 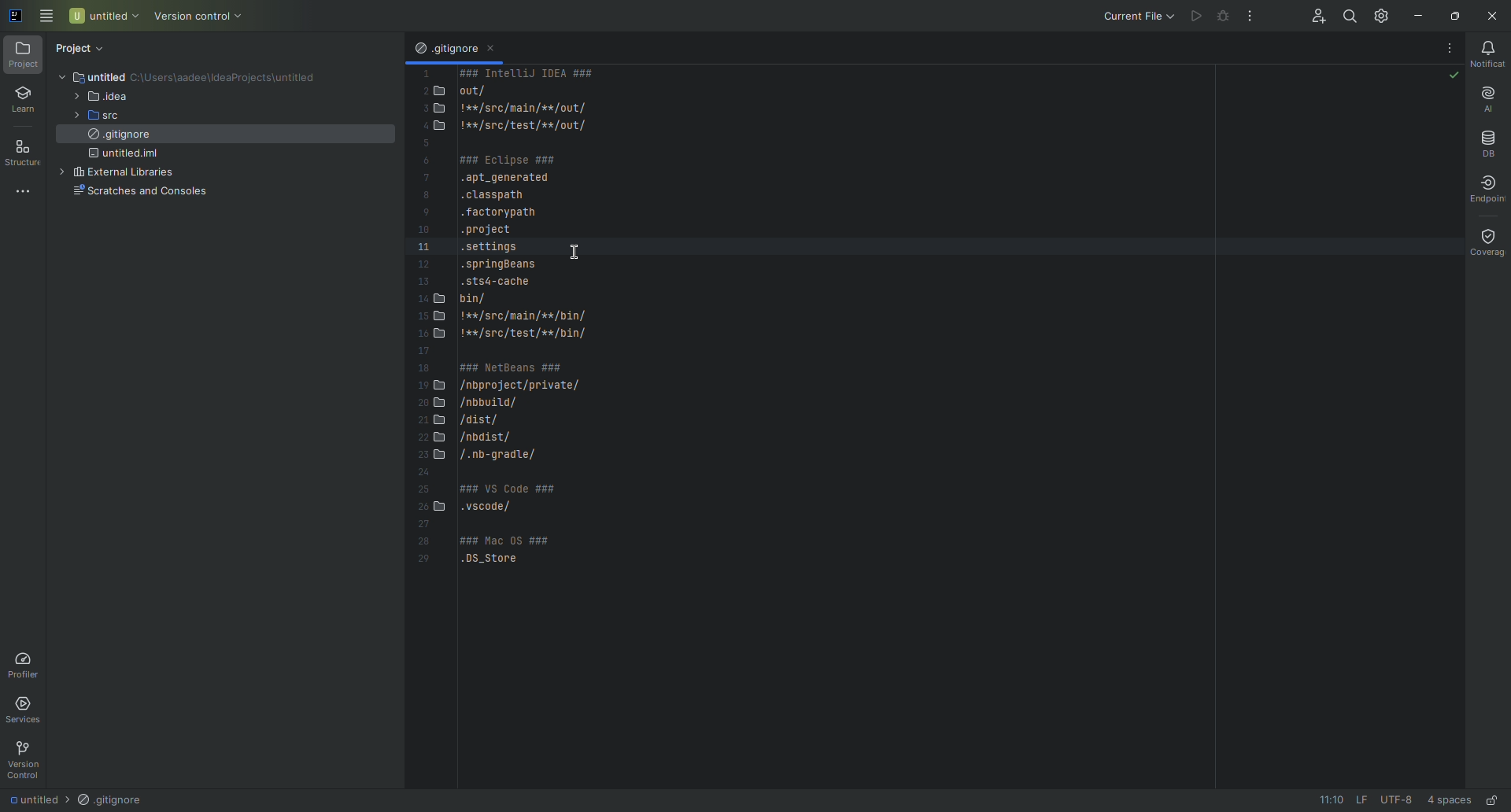 What do you see at coordinates (24, 758) in the screenshot?
I see `Version Control` at bounding box center [24, 758].